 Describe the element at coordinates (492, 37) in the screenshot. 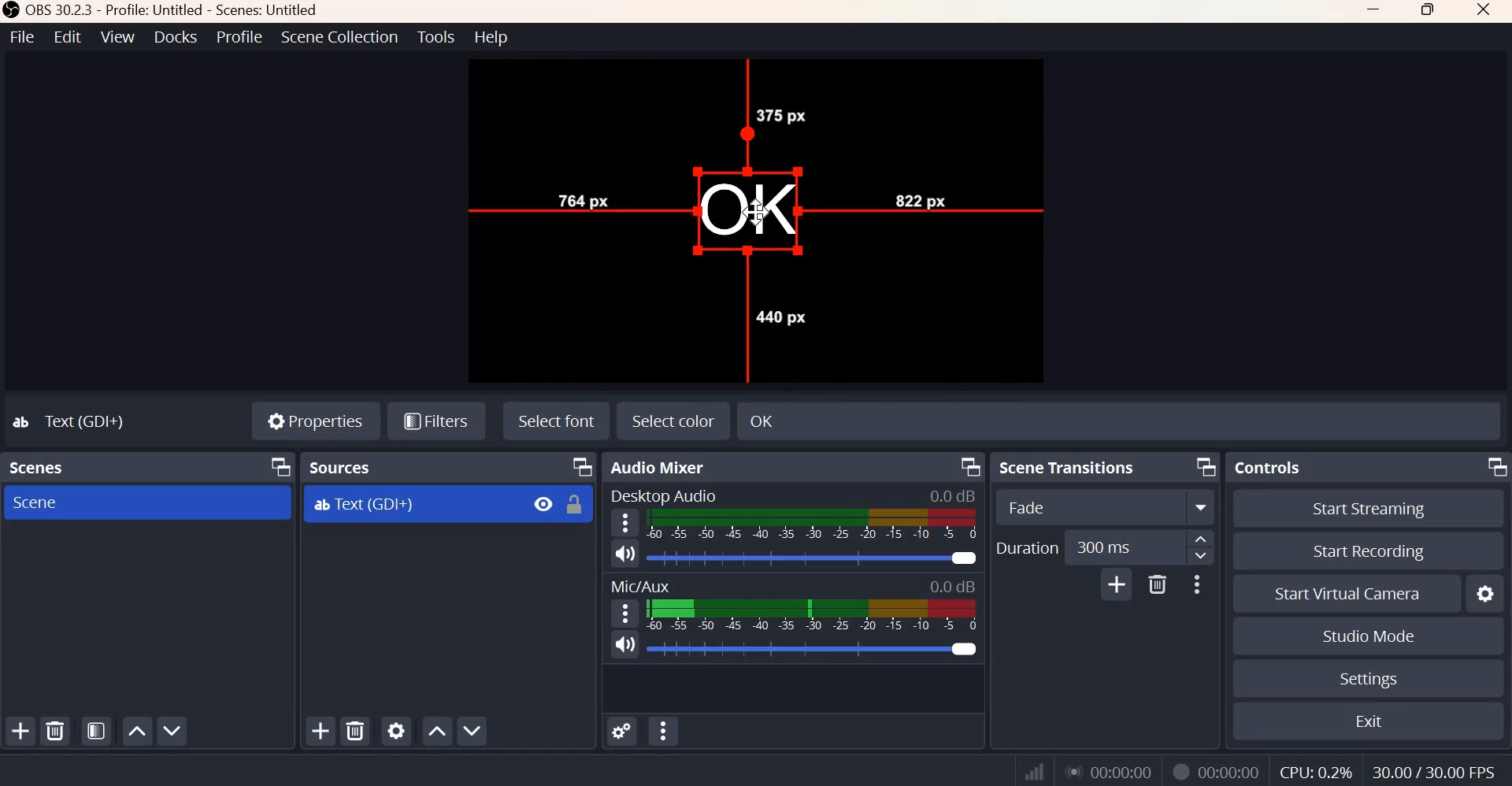

I see `Help` at that location.